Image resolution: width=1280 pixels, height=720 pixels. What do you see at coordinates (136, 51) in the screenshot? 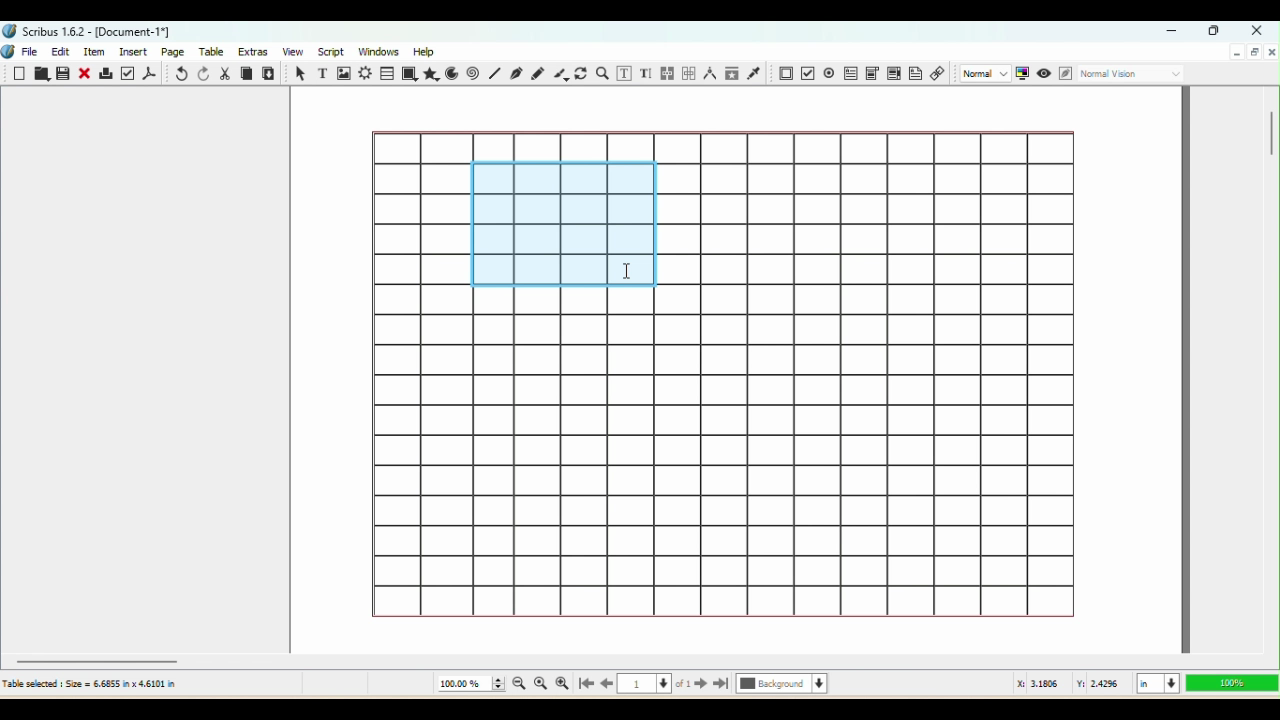
I see `Insert` at bounding box center [136, 51].